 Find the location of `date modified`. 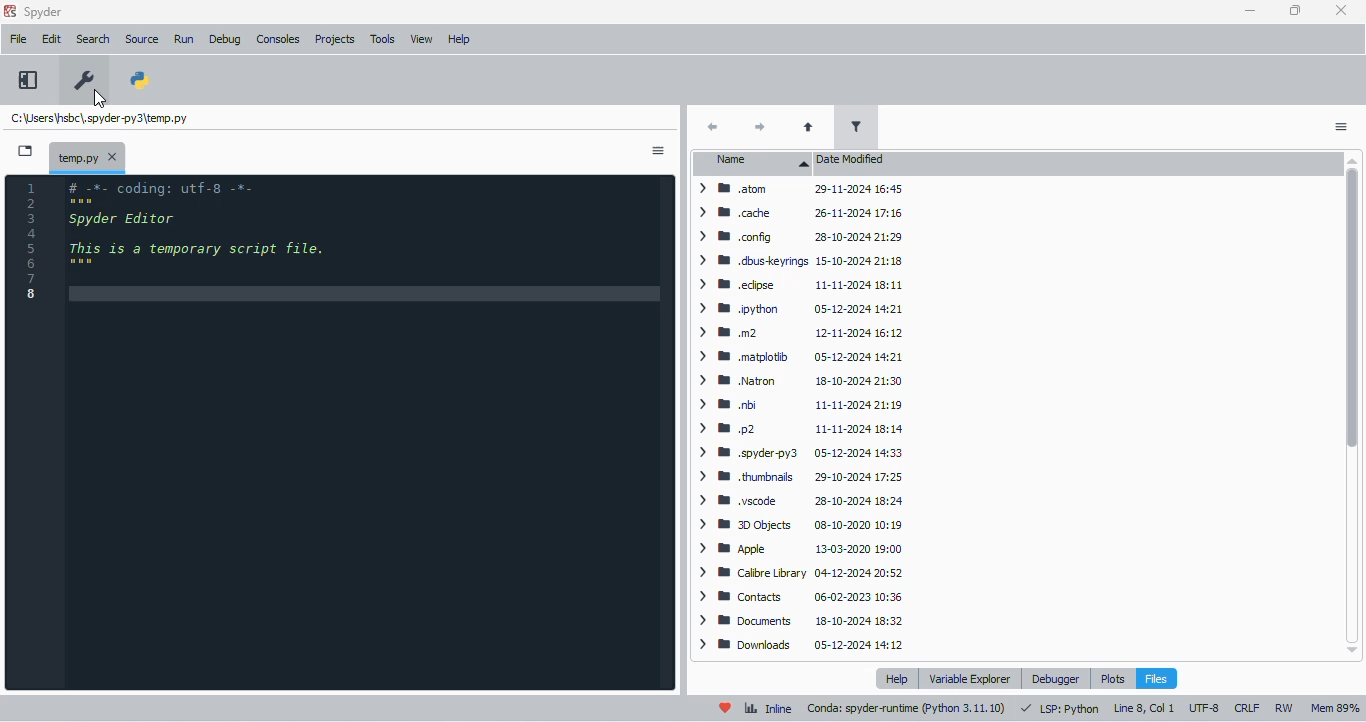

date modified is located at coordinates (849, 160).